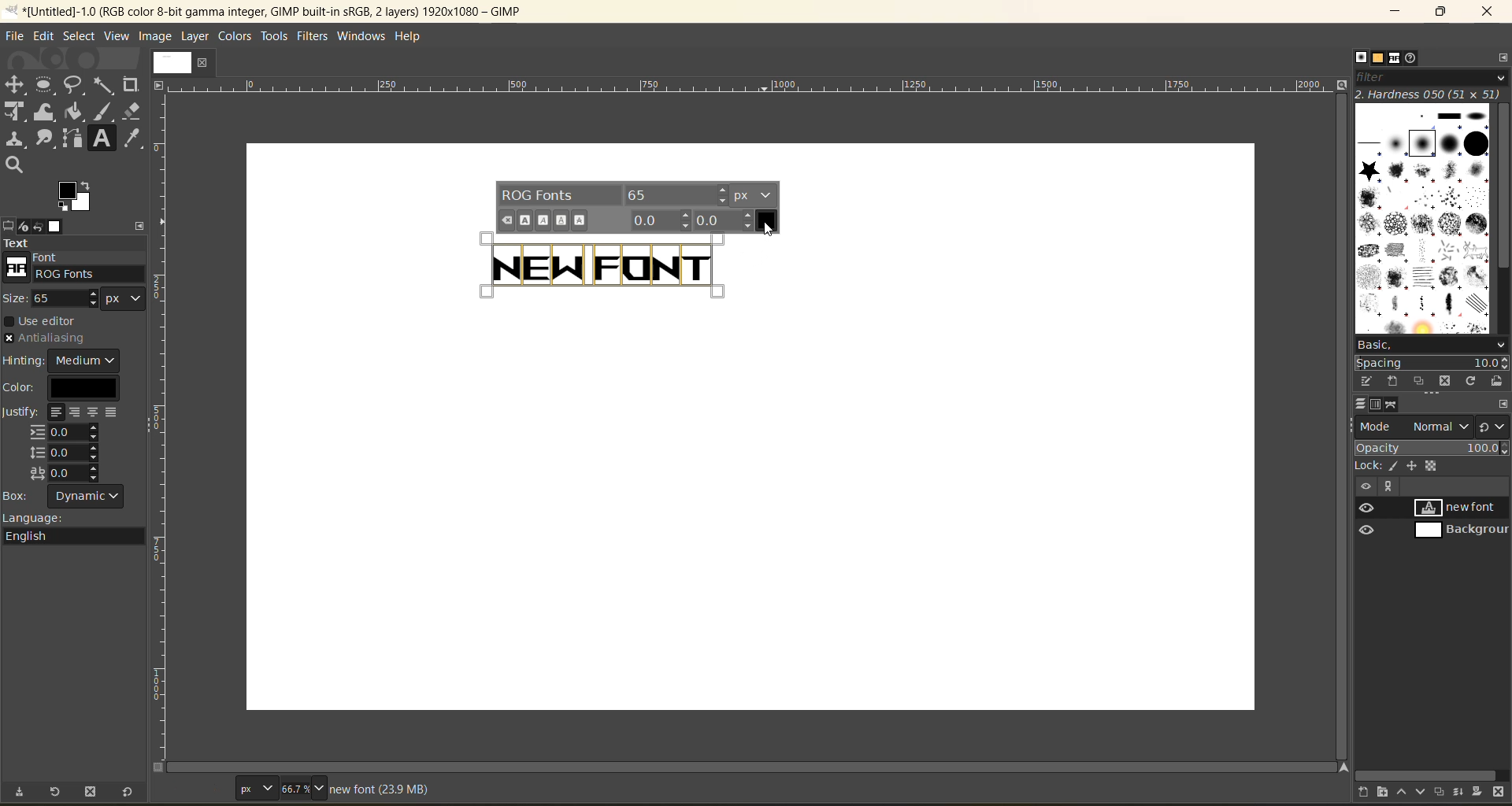  What do you see at coordinates (772, 231) in the screenshot?
I see `cursor` at bounding box center [772, 231].